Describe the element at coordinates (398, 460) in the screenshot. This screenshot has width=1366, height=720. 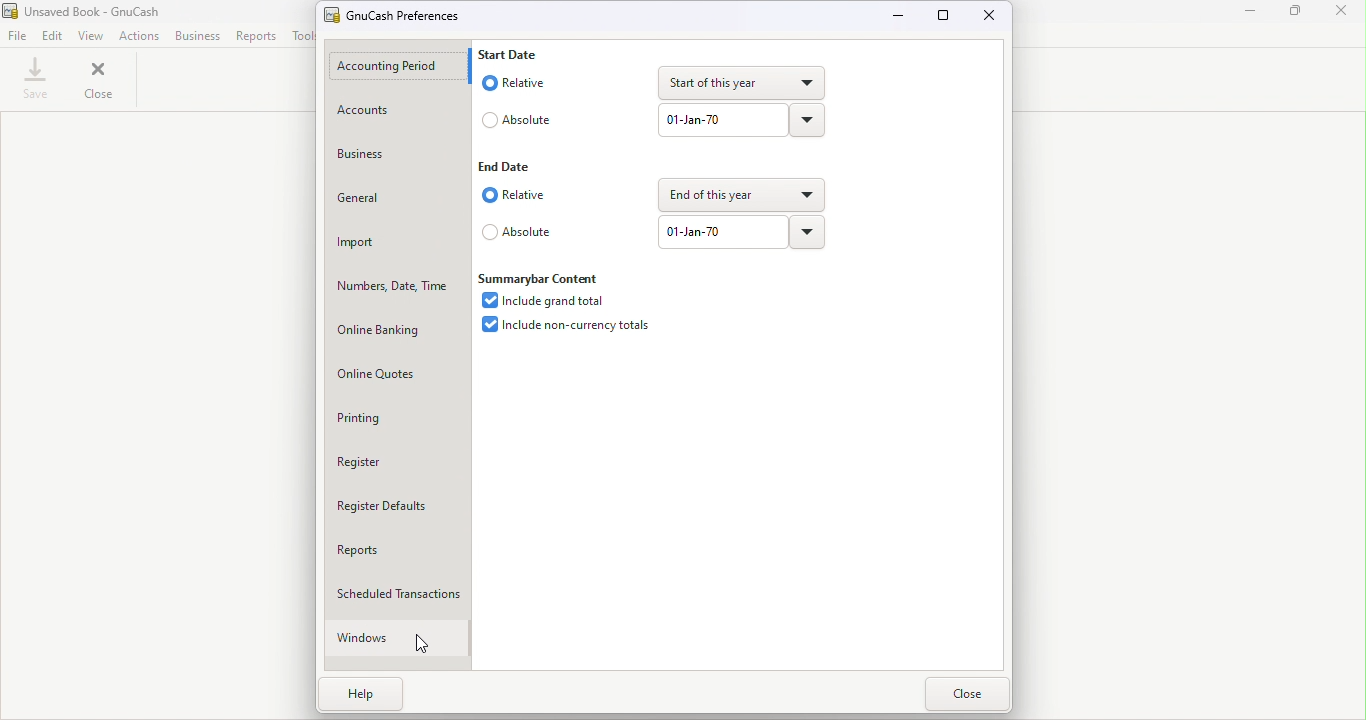
I see `Register` at that location.